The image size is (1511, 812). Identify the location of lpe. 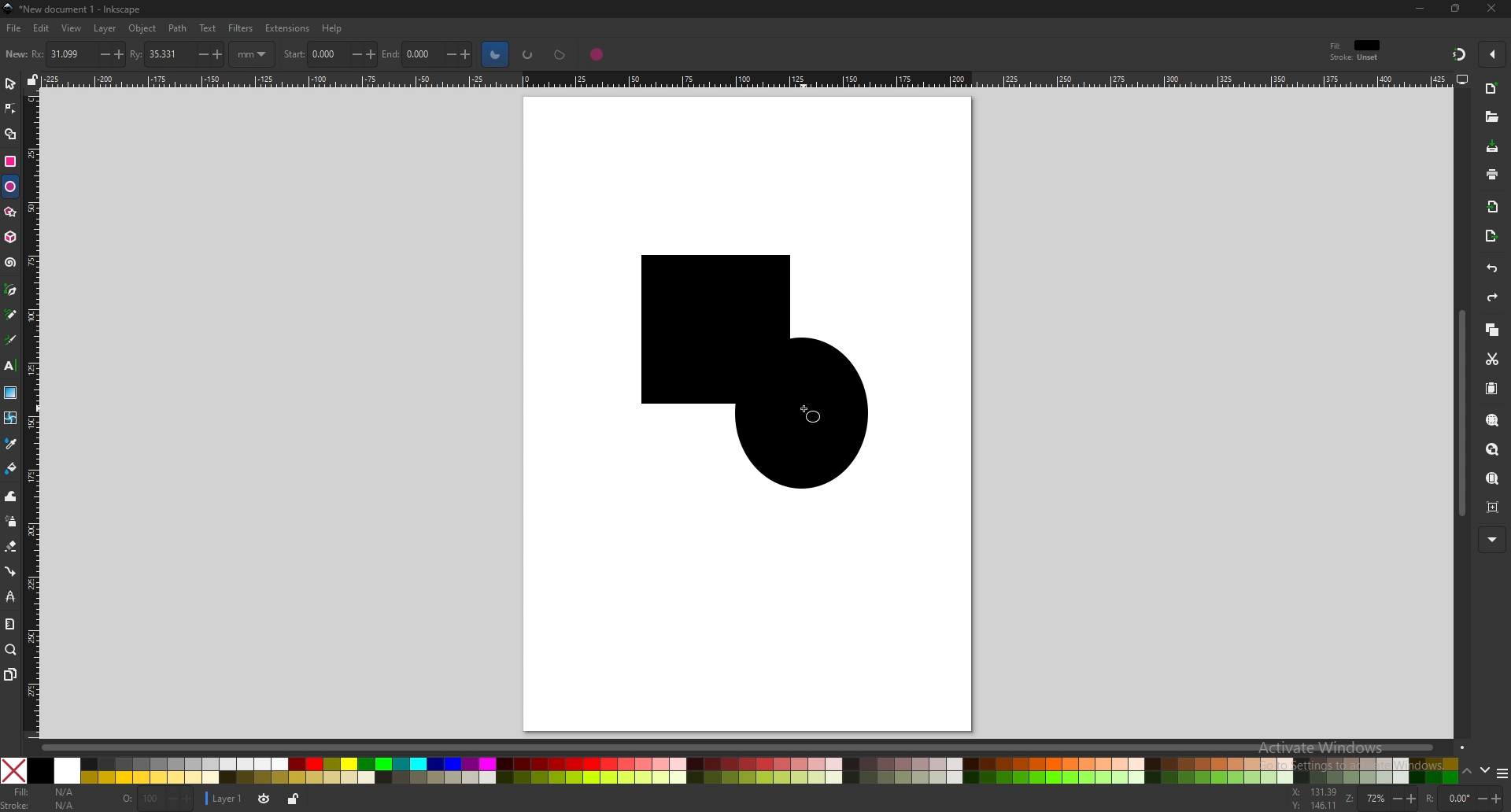
(11, 596).